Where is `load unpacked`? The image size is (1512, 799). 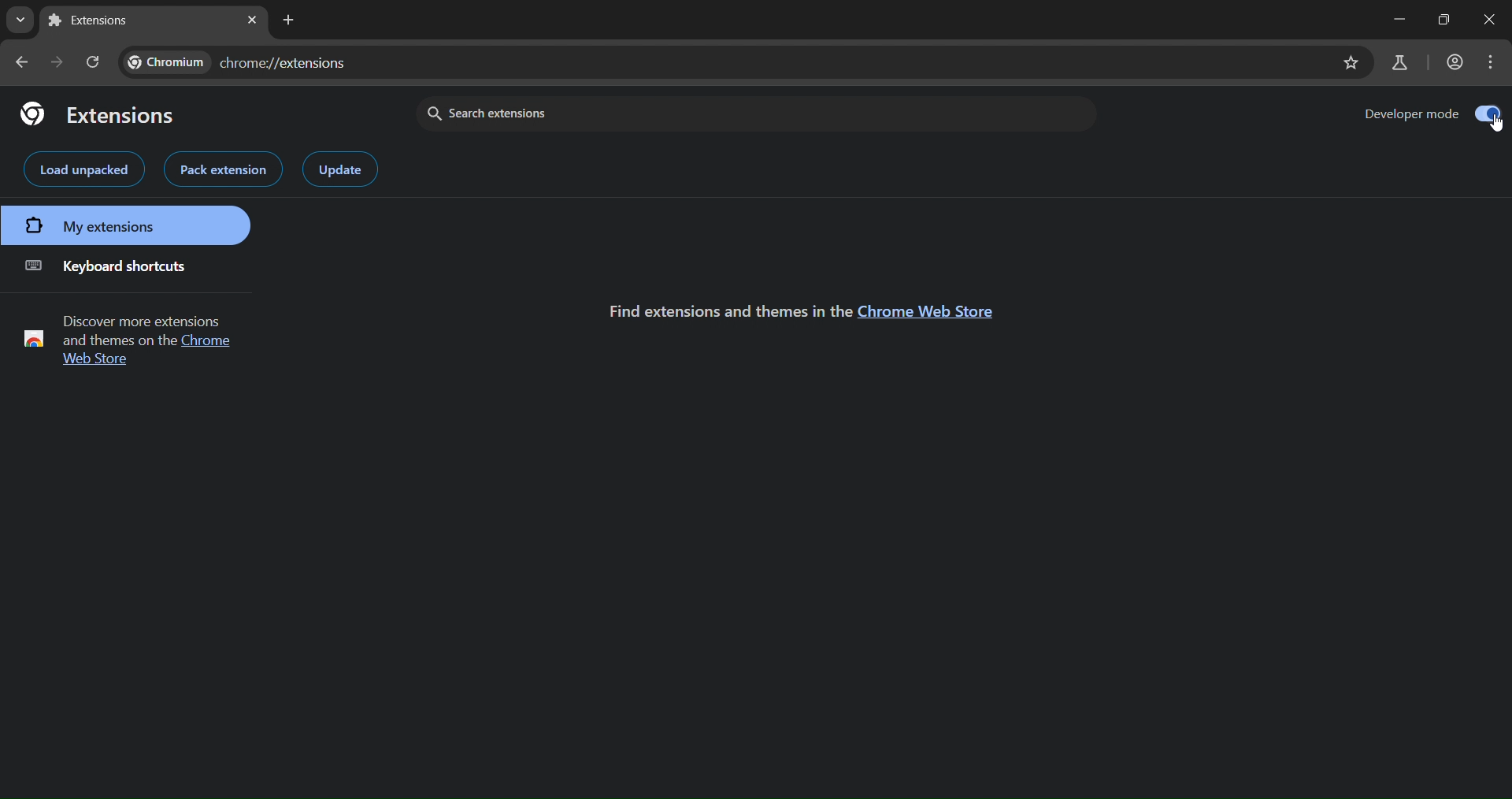 load unpacked is located at coordinates (80, 169).